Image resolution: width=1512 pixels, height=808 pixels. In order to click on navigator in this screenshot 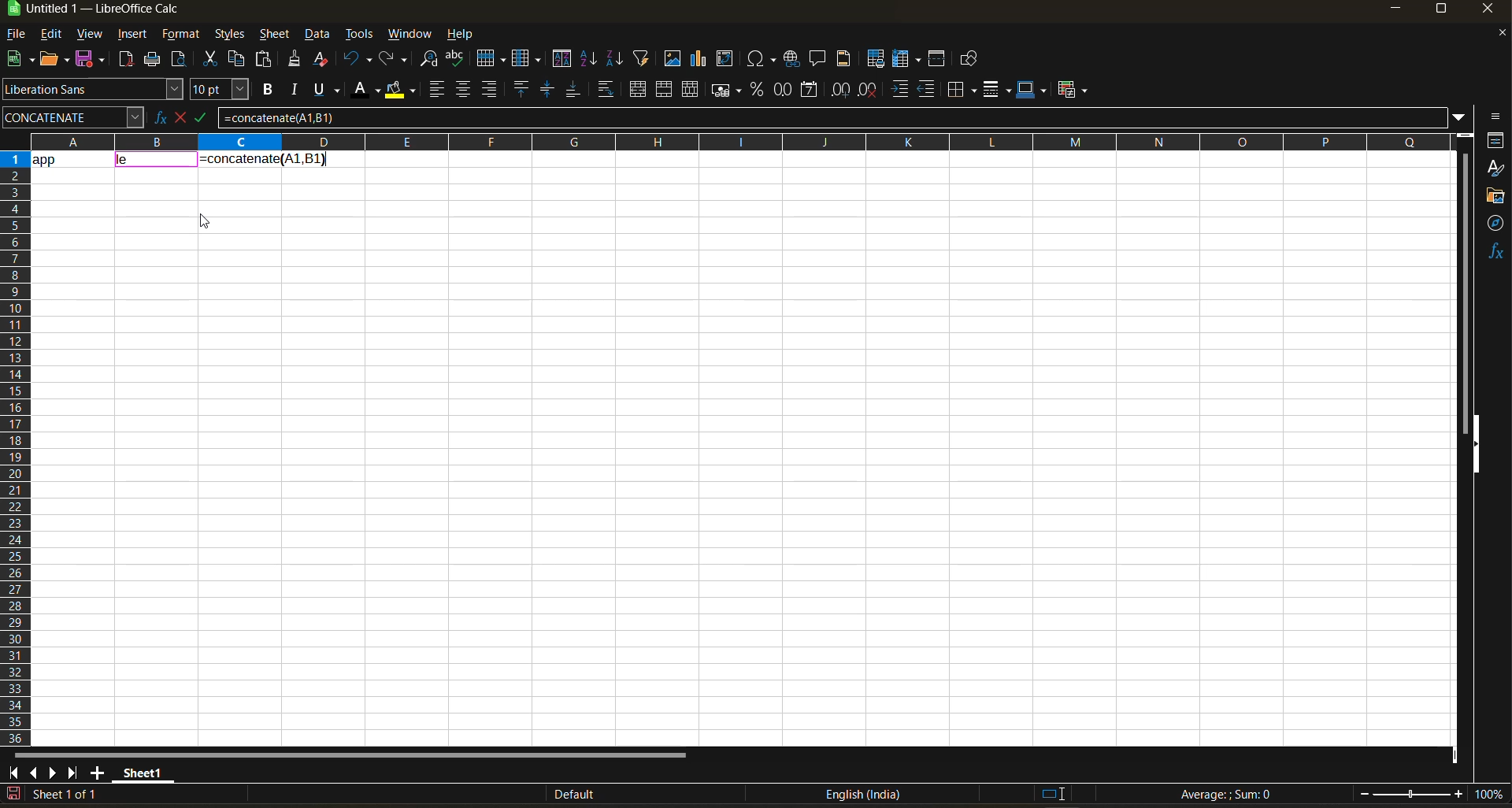, I will do `click(1496, 223)`.